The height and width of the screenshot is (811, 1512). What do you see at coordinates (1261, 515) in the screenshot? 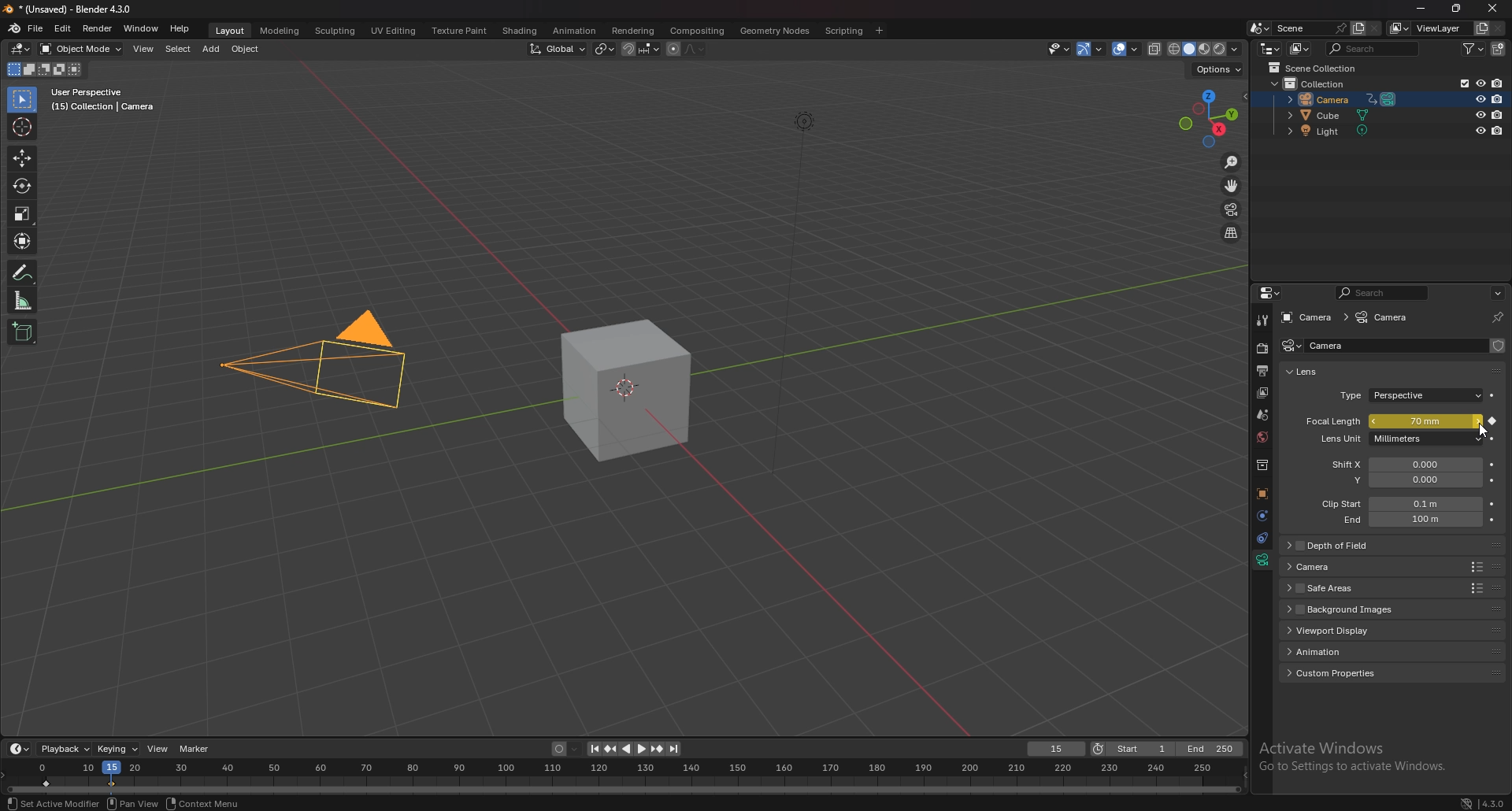
I see `physics` at bounding box center [1261, 515].